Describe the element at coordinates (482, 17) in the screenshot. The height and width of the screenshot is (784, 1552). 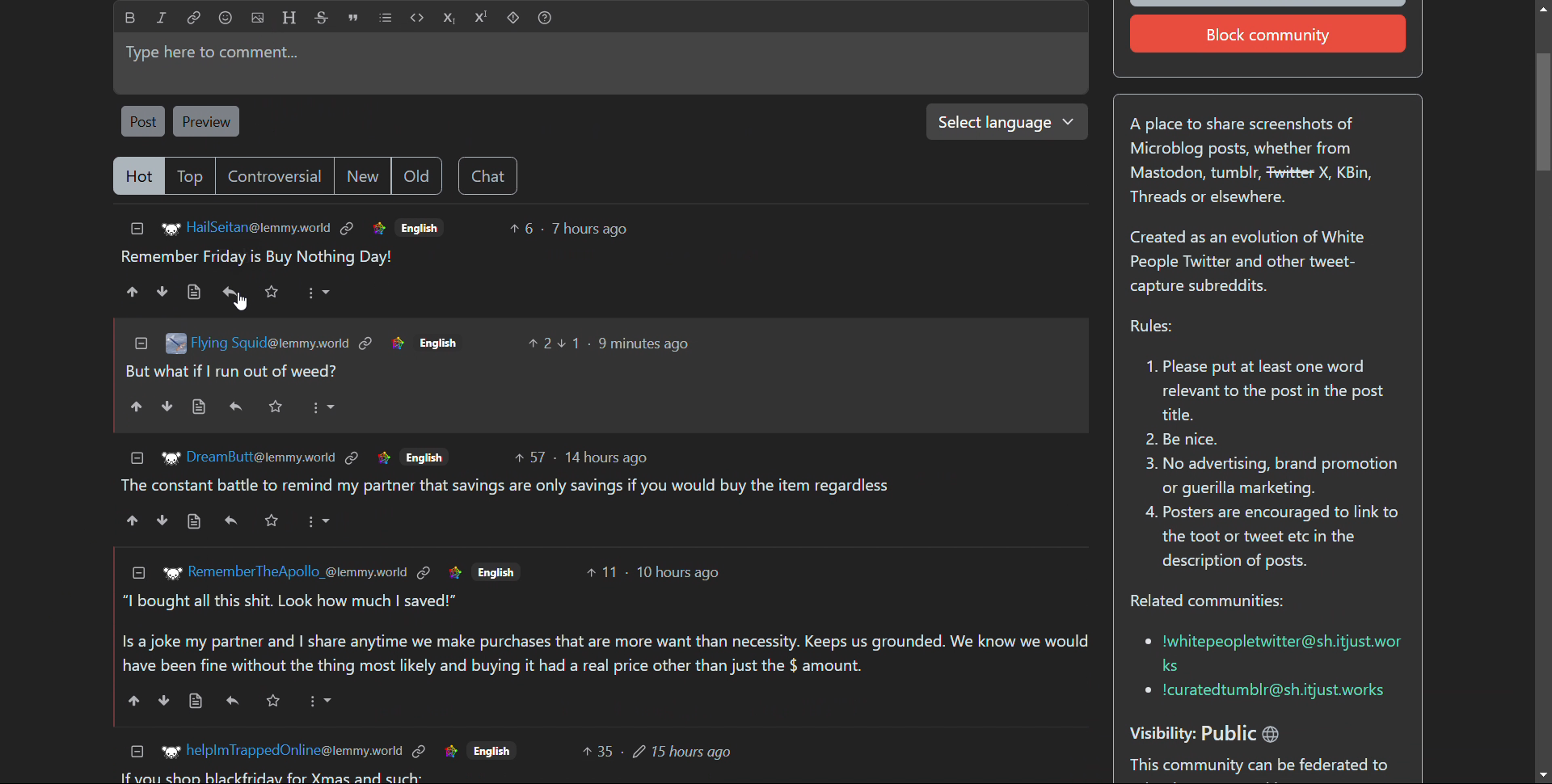
I see `superscript` at that location.